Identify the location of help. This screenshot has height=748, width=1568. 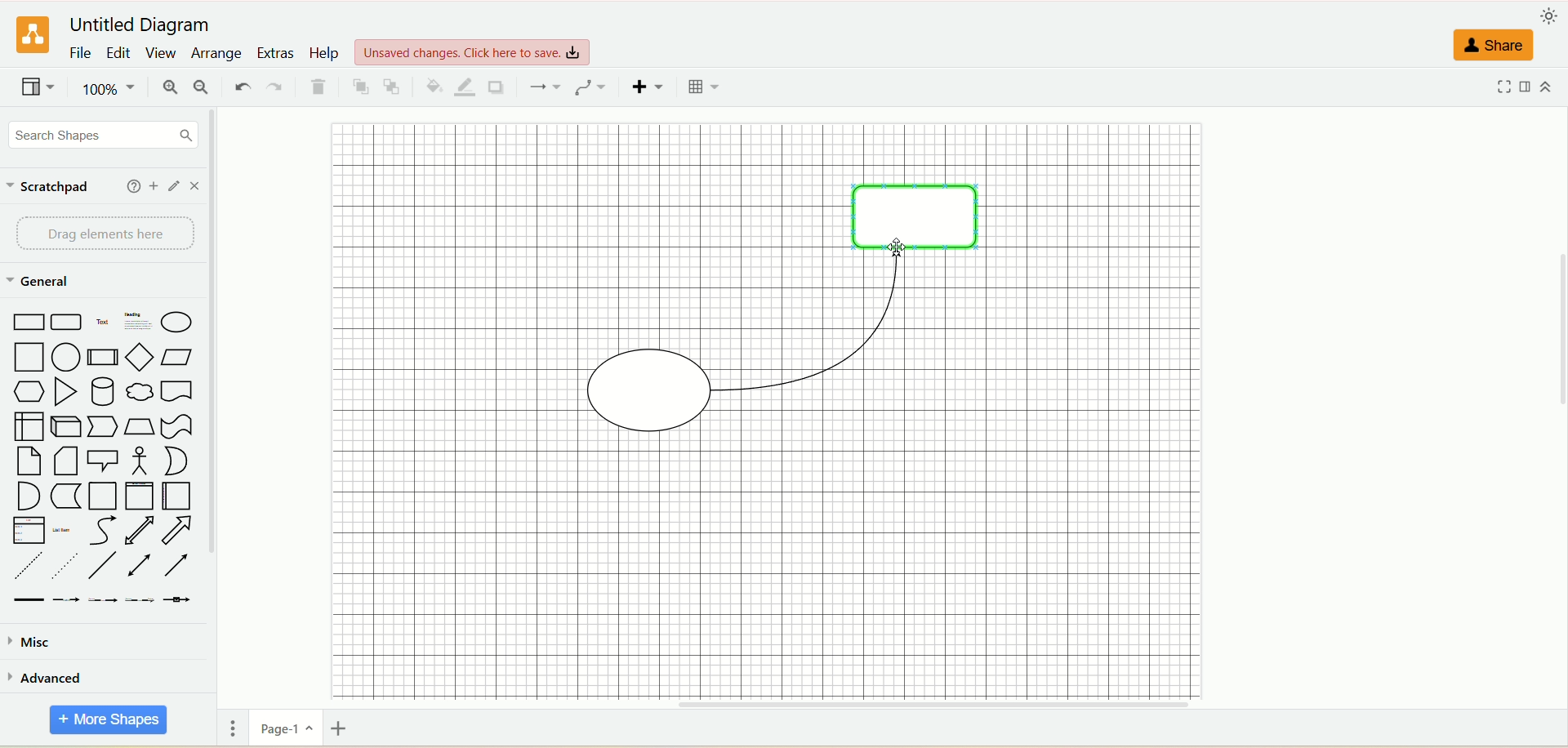
(325, 53).